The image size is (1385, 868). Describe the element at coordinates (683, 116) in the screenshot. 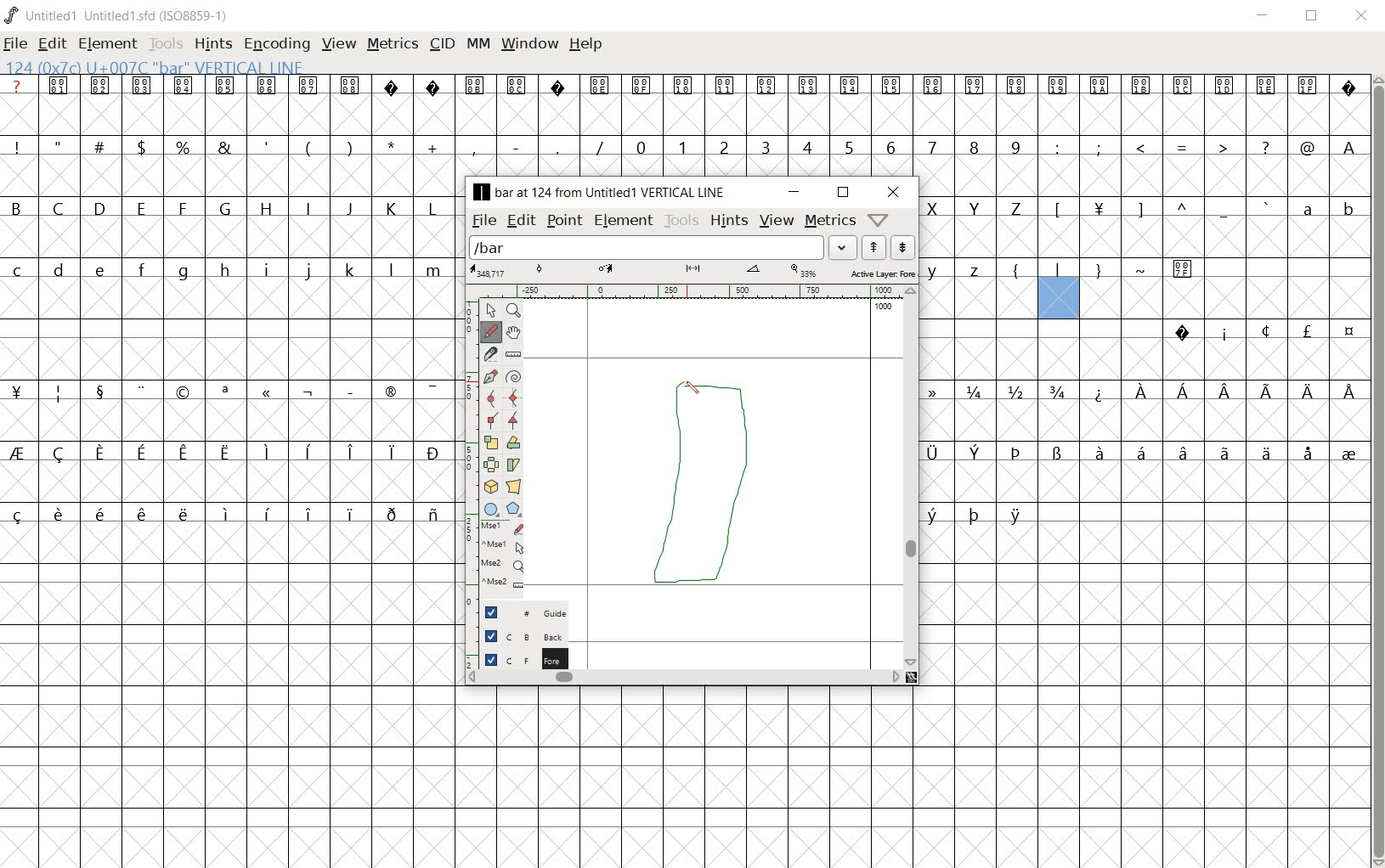

I see `empty cells` at that location.